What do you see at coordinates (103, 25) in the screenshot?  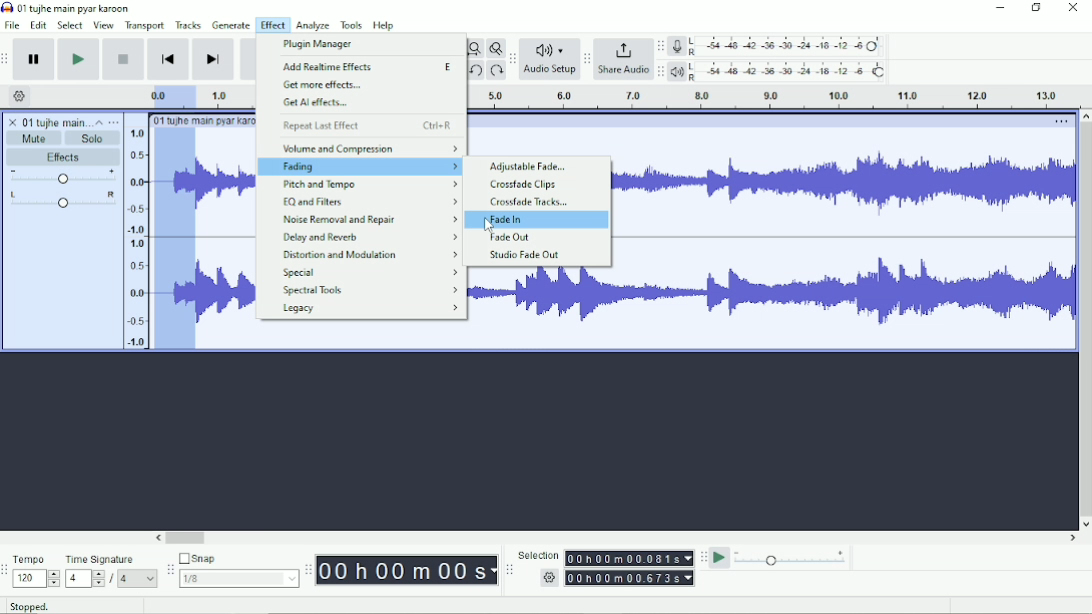 I see `View` at bounding box center [103, 25].